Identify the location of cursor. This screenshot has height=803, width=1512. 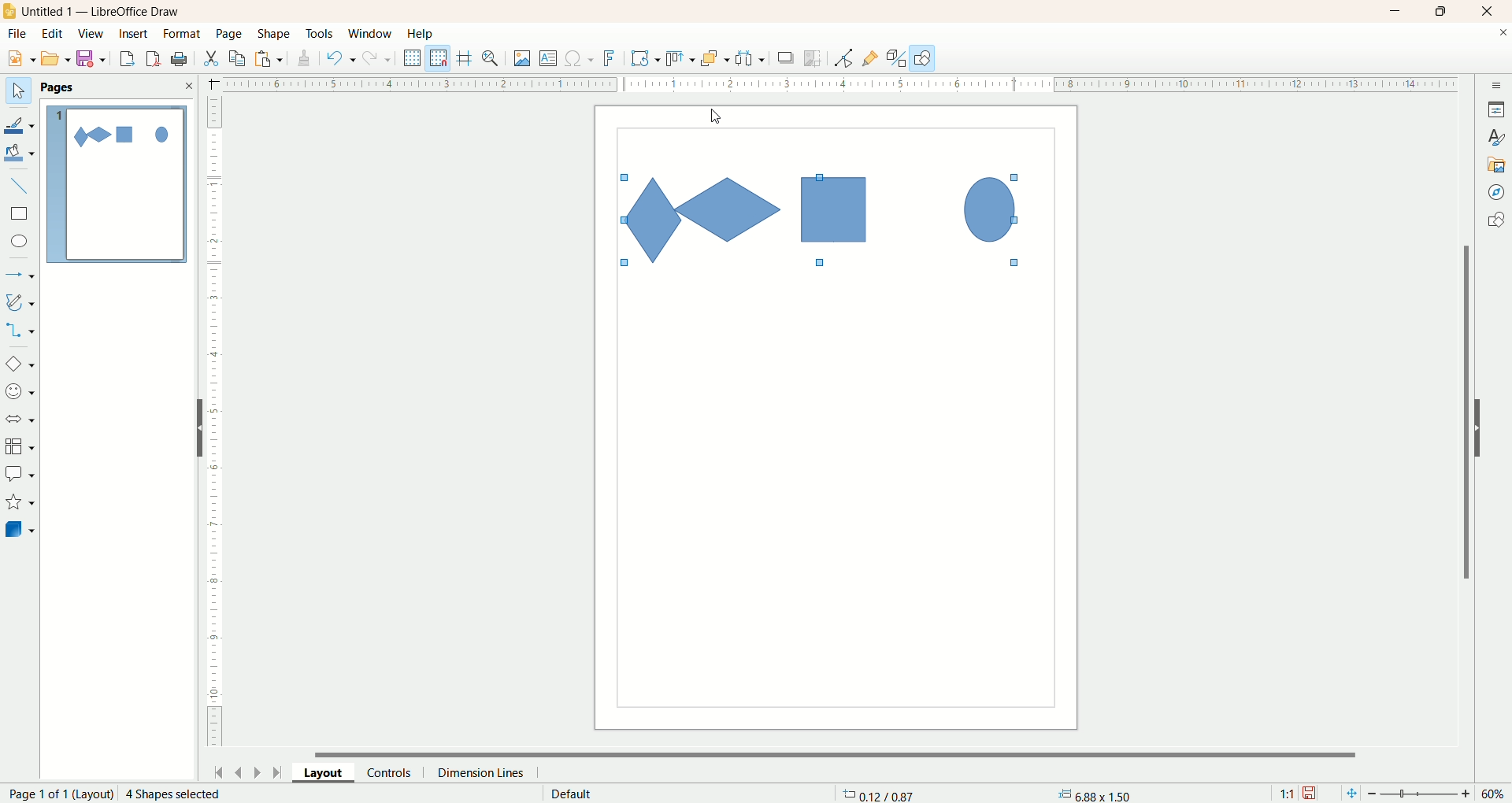
(716, 118).